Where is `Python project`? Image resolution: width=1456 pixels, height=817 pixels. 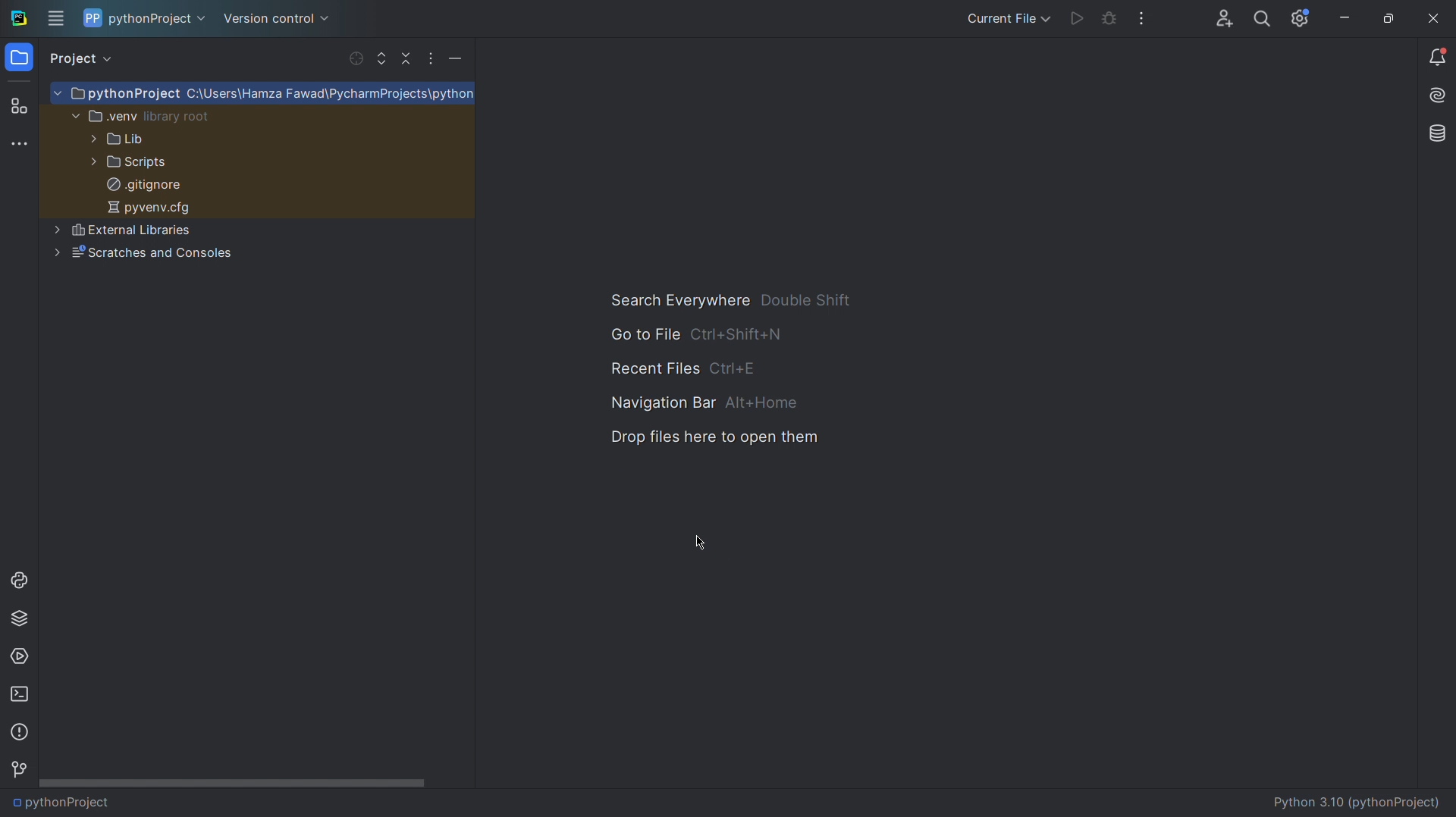 Python project is located at coordinates (143, 19).